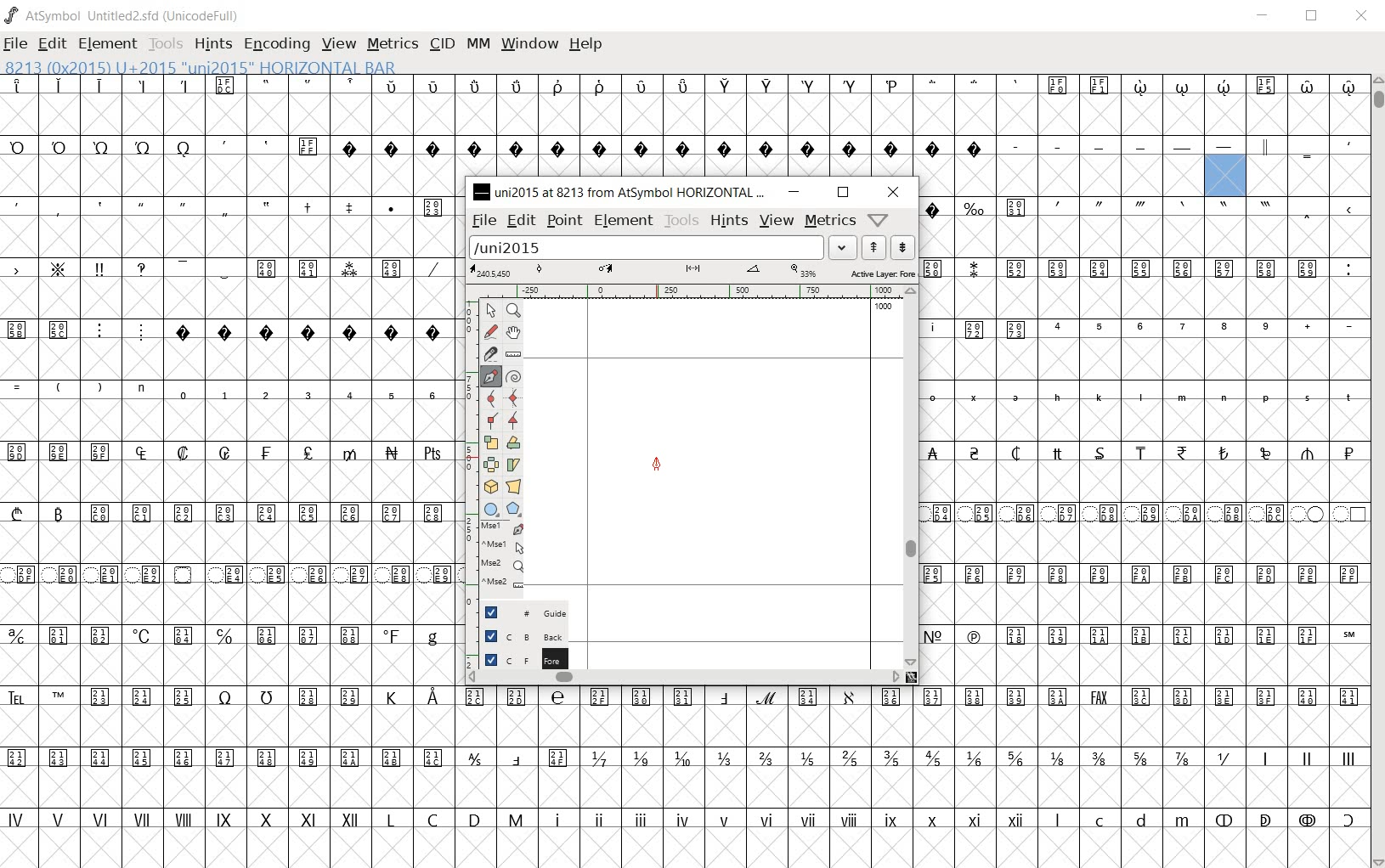  What do you see at coordinates (515, 442) in the screenshot?
I see `Rotate the selection` at bounding box center [515, 442].